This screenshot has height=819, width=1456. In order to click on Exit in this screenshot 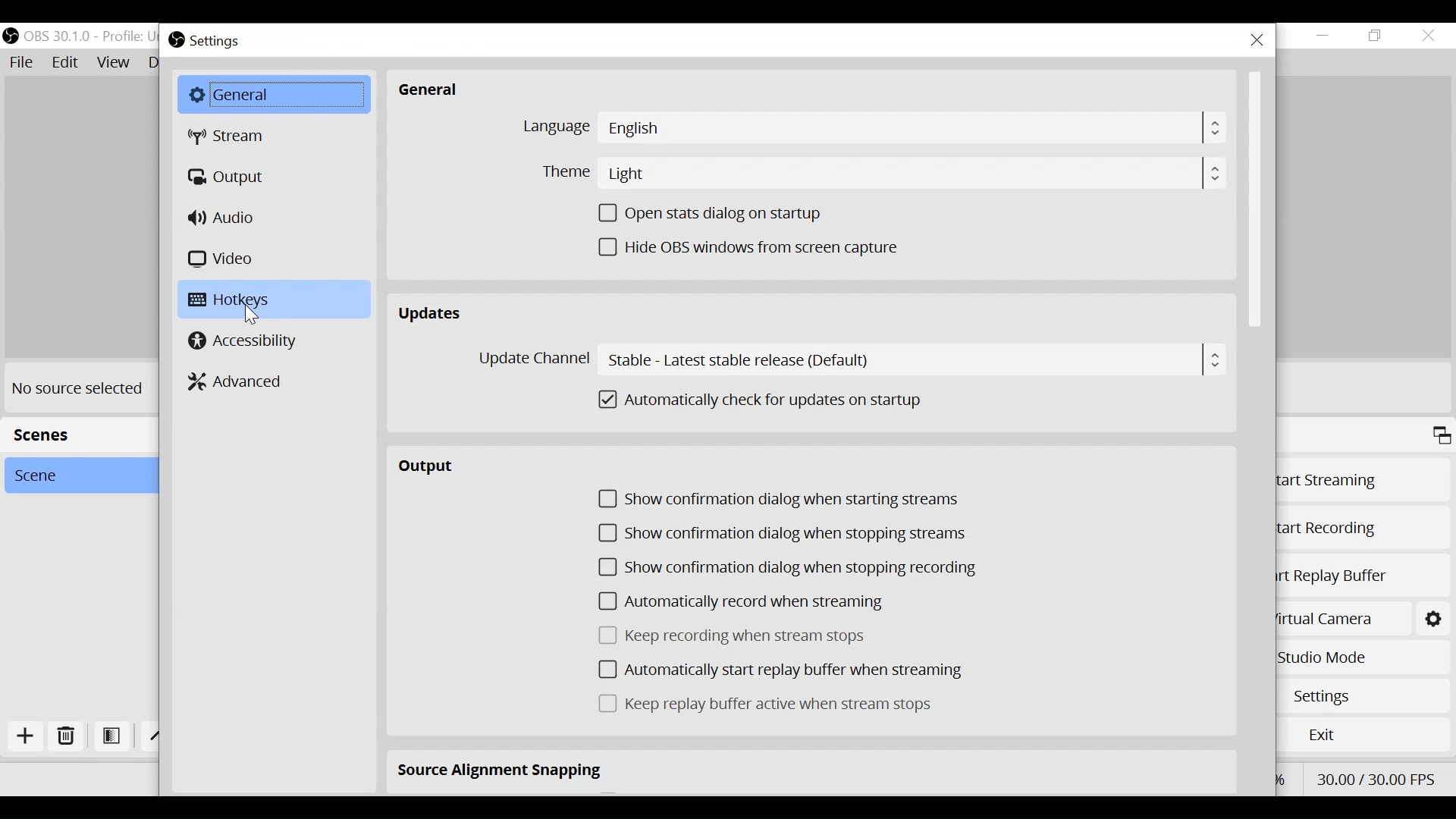, I will do `click(1367, 733)`.